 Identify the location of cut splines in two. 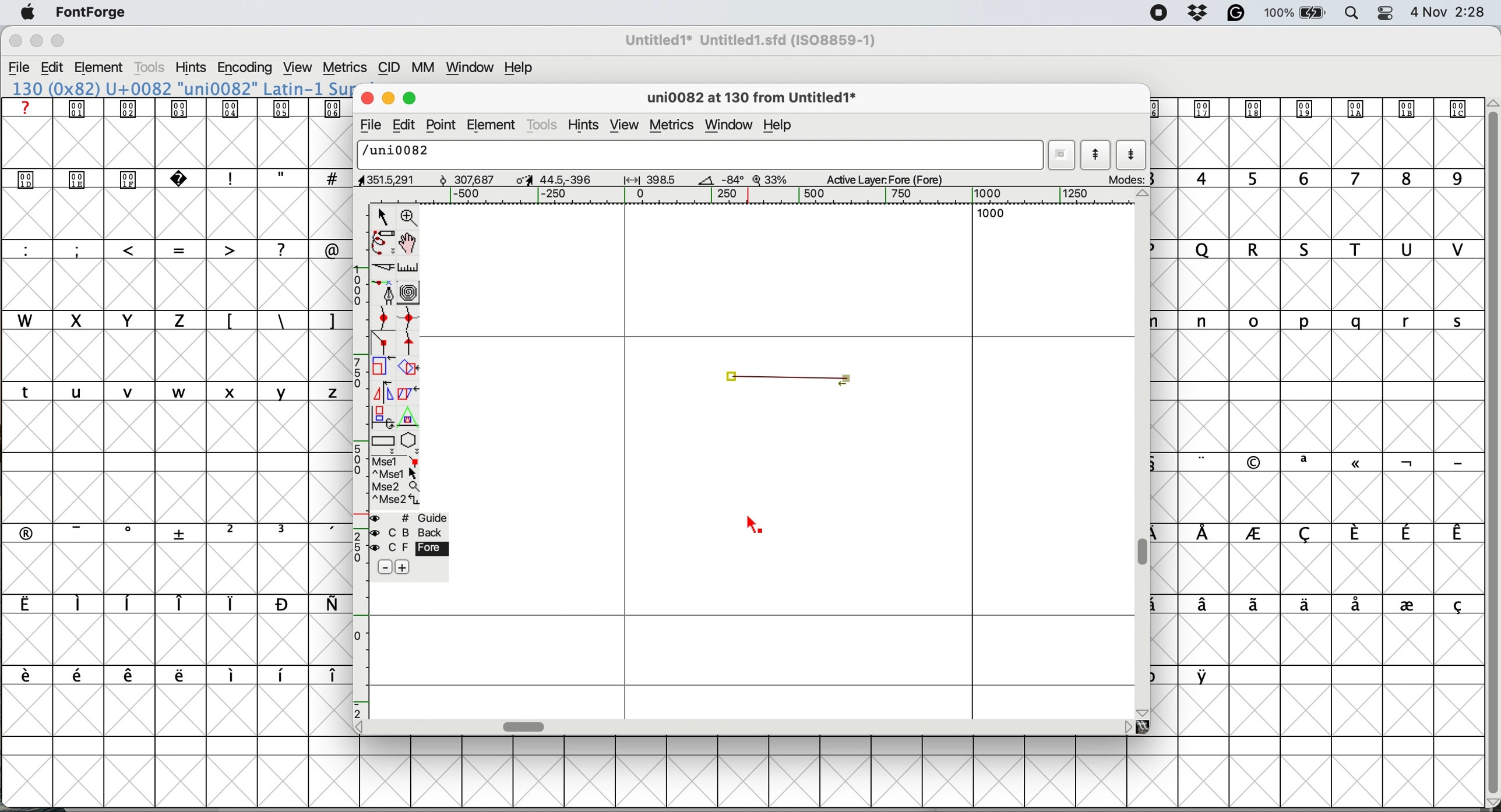
(386, 267).